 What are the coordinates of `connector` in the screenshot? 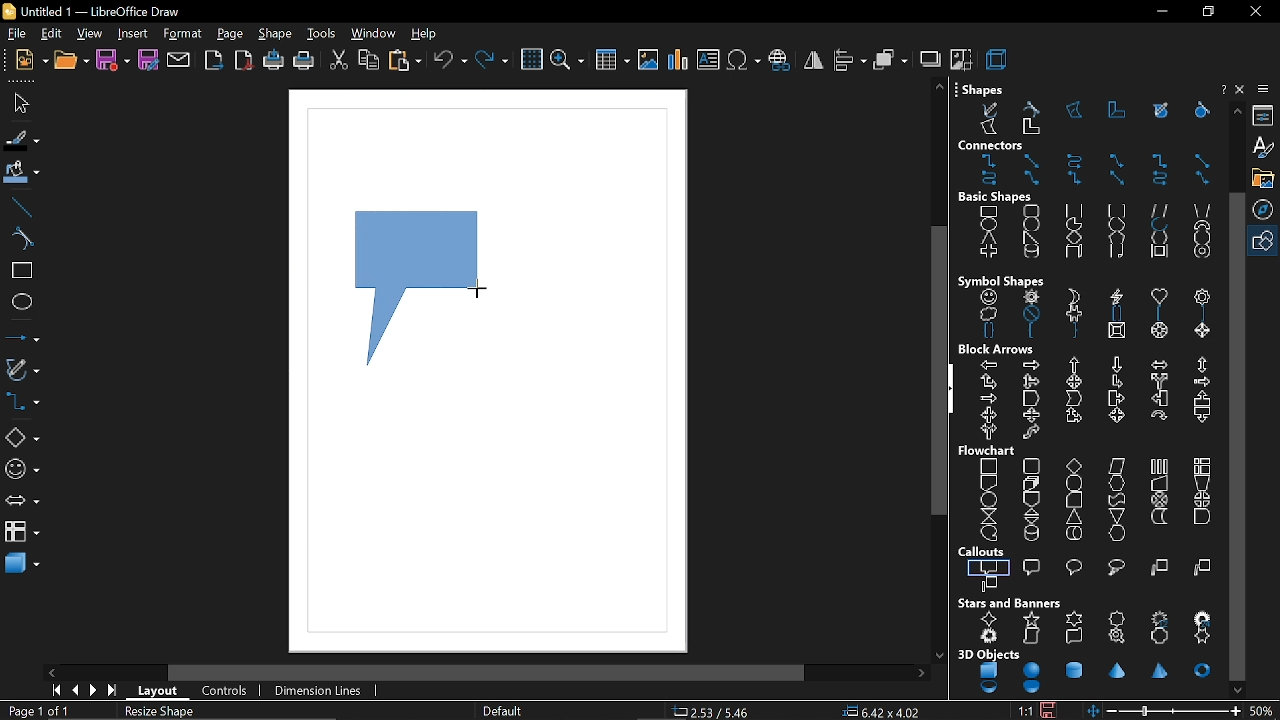 It's located at (987, 499).